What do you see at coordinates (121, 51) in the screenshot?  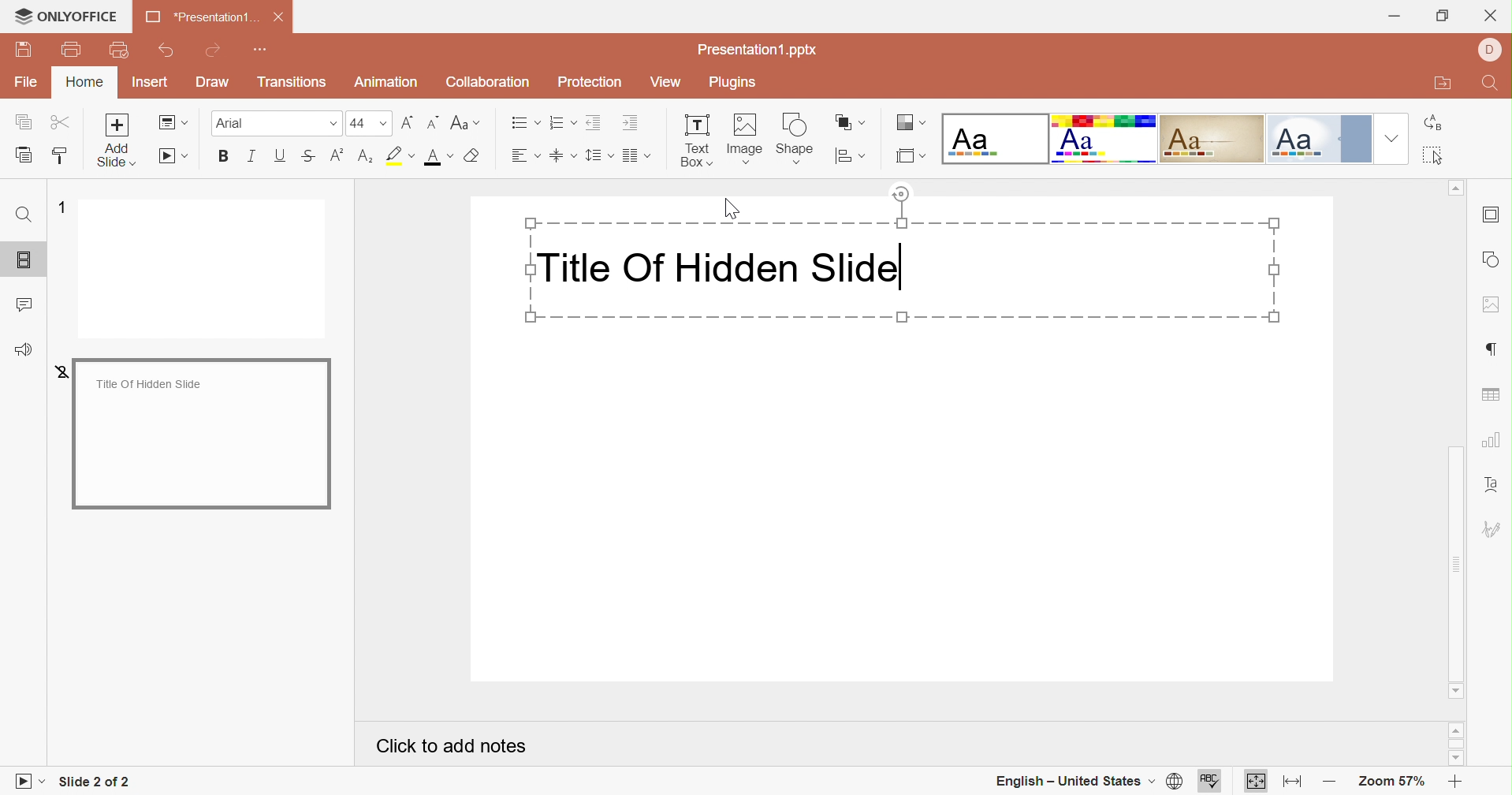 I see `Quick print` at bounding box center [121, 51].